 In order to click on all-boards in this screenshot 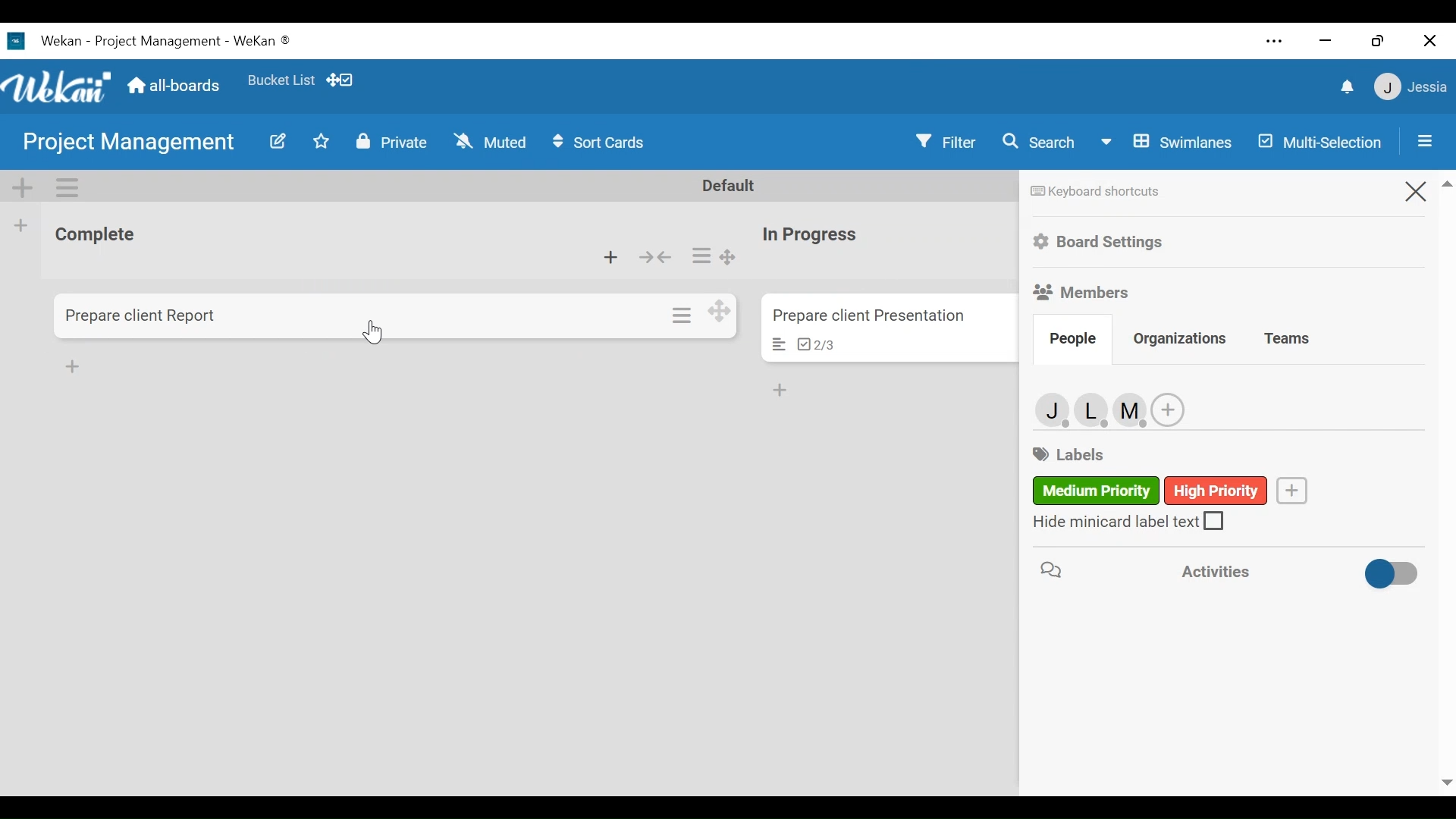, I will do `click(171, 85)`.